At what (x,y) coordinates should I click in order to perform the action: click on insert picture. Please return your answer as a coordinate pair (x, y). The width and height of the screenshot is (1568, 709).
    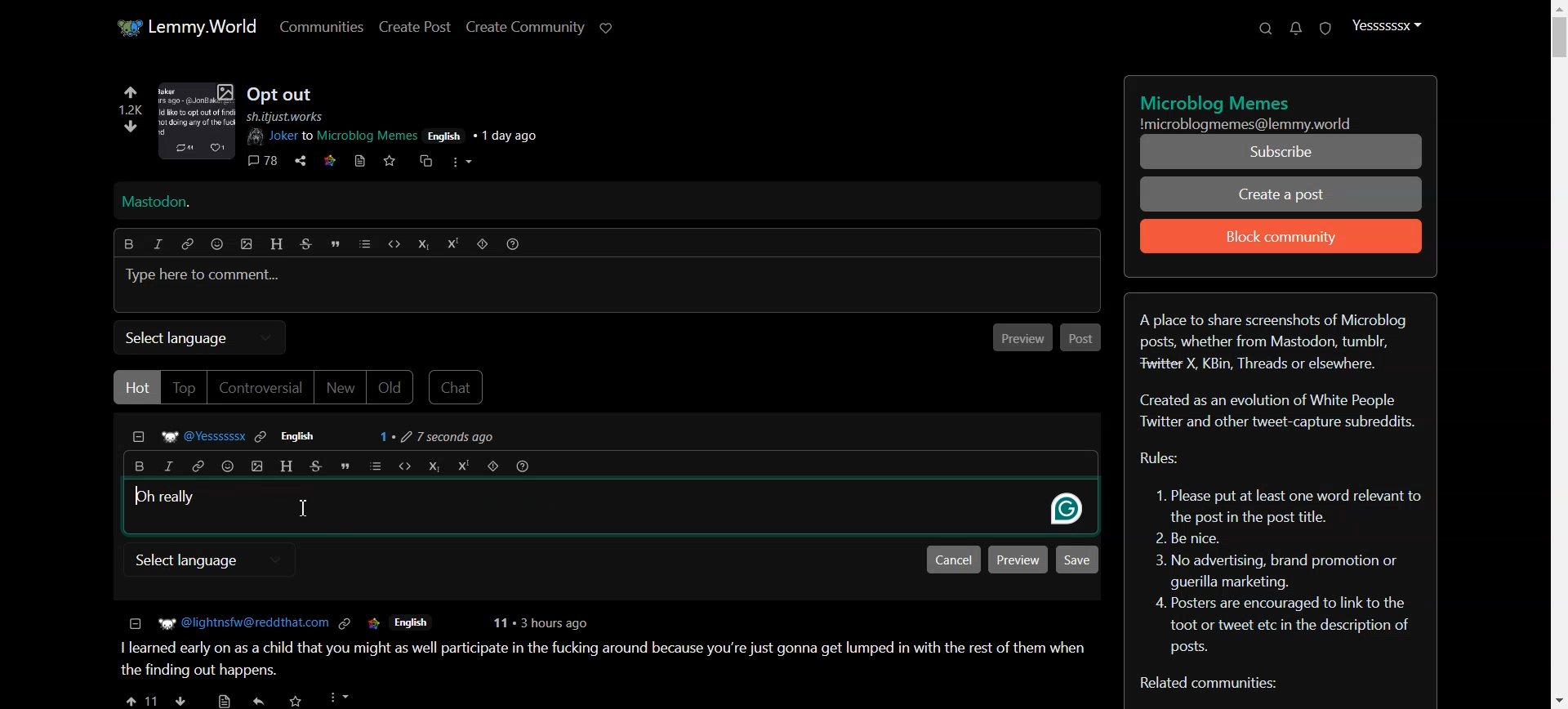
    Looking at the image, I should click on (247, 245).